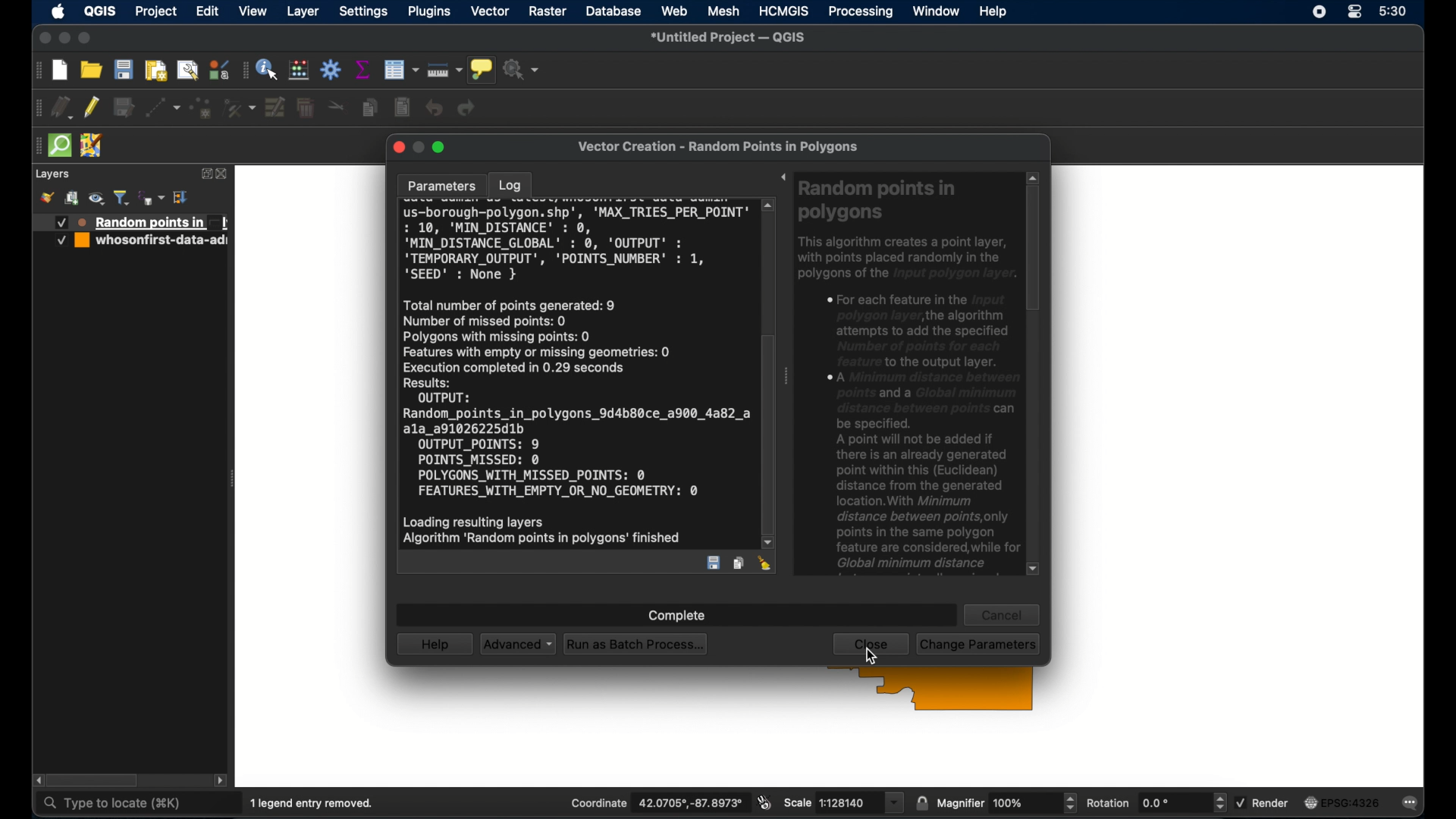 Image resolution: width=1456 pixels, height=819 pixels. What do you see at coordinates (43, 39) in the screenshot?
I see `close` at bounding box center [43, 39].